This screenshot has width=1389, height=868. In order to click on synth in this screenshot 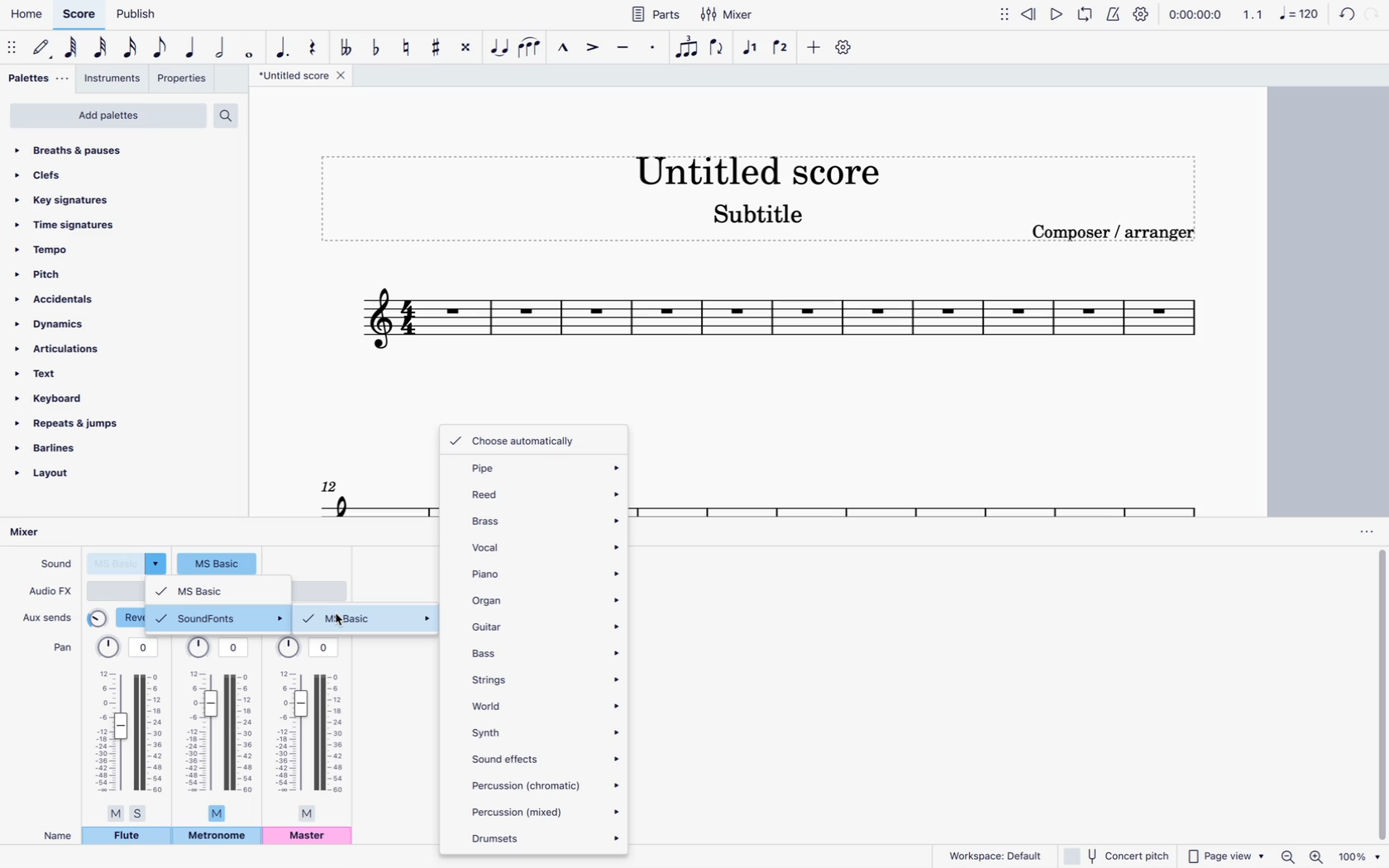, I will do `click(545, 731)`.